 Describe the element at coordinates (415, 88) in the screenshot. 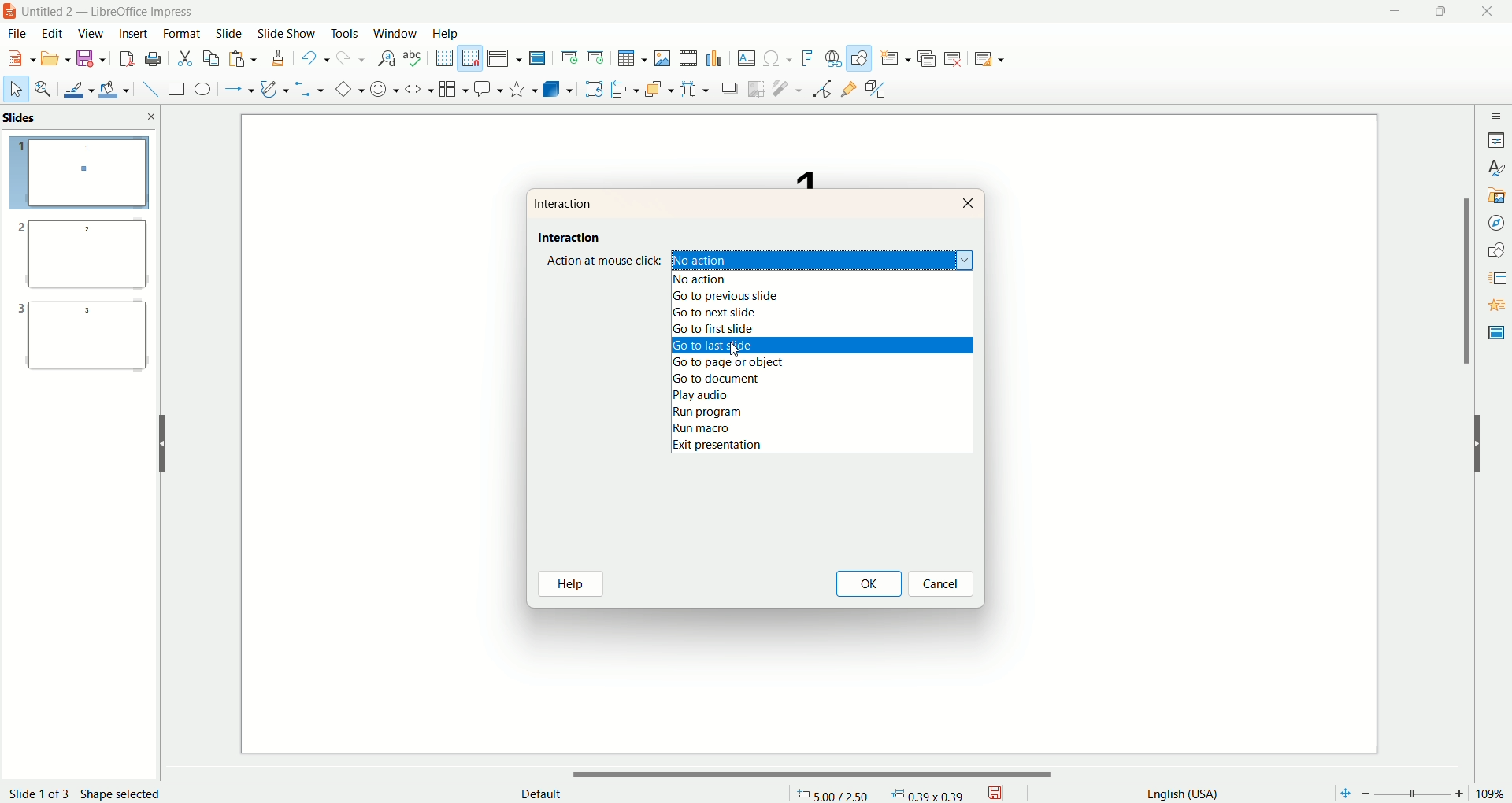

I see `block arrow` at that location.